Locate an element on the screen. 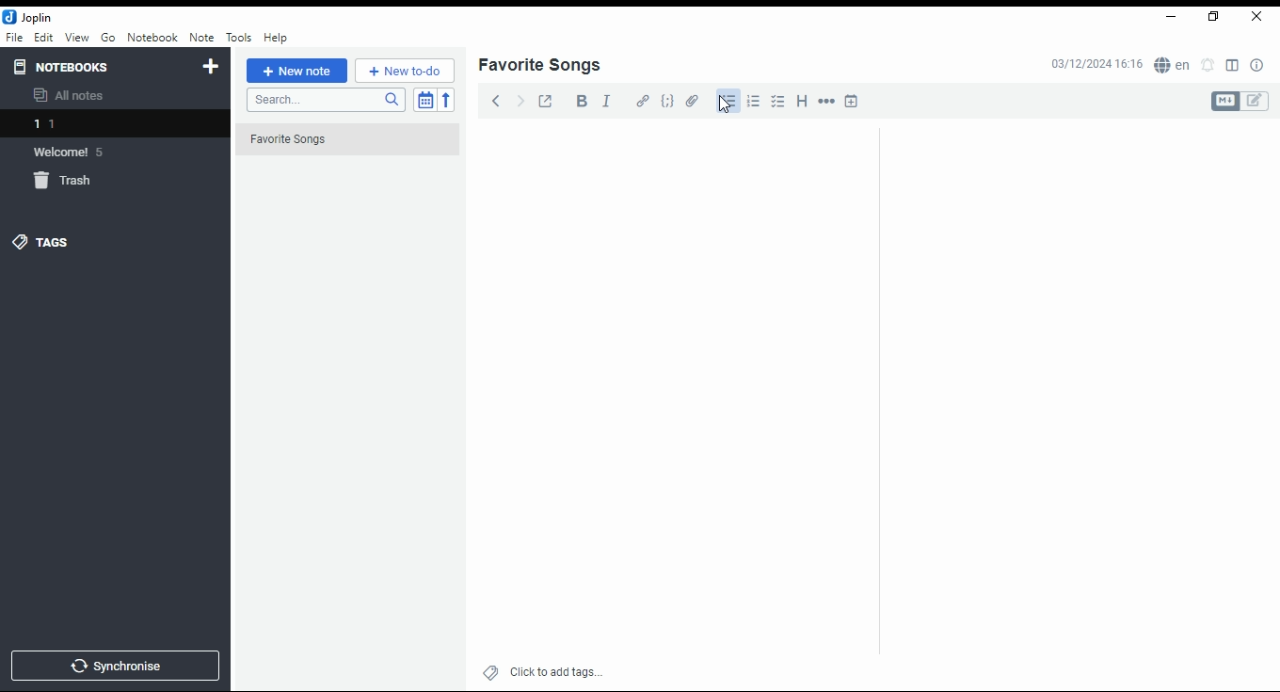  tags is located at coordinates (41, 241).